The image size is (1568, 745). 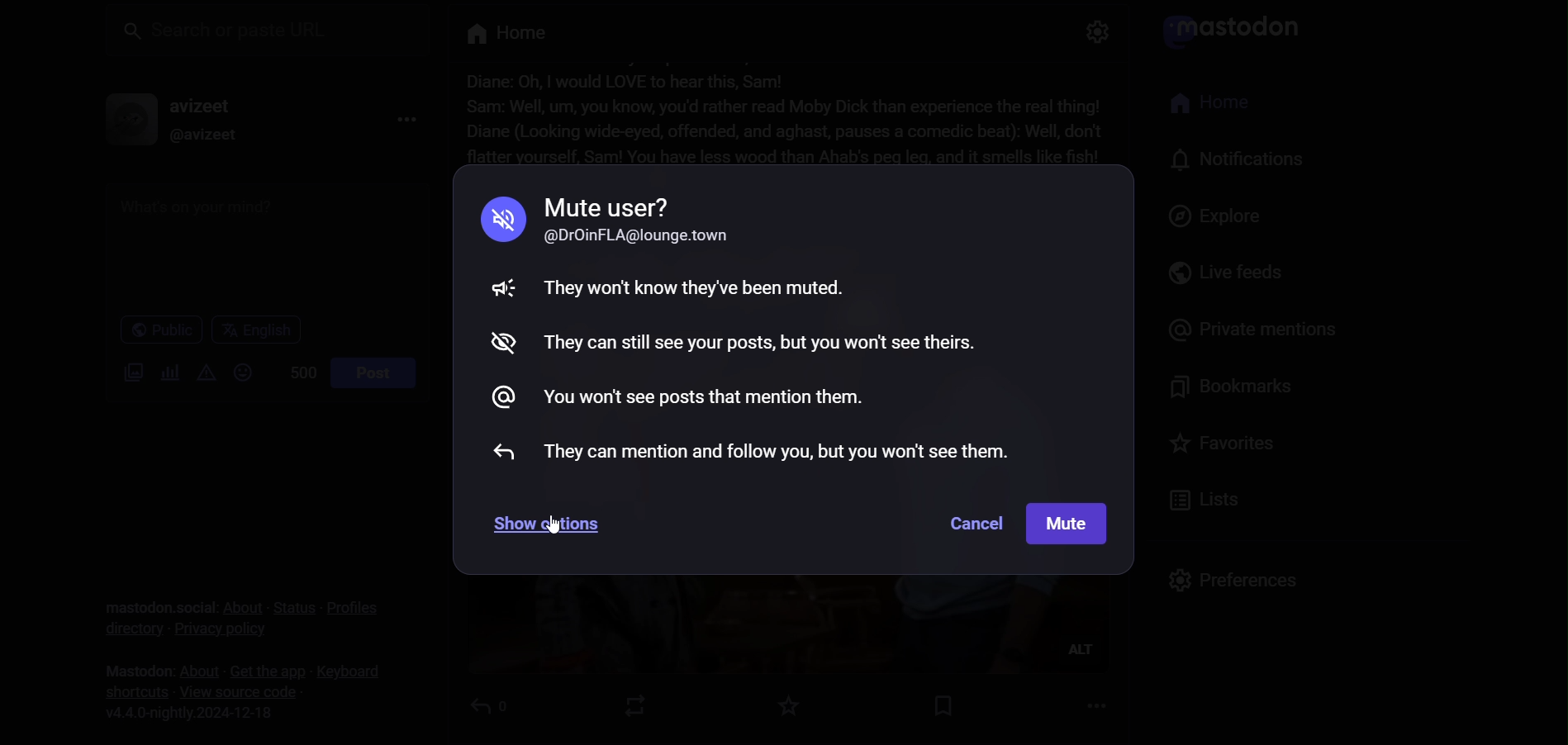 I want to click on show options, so click(x=546, y=526).